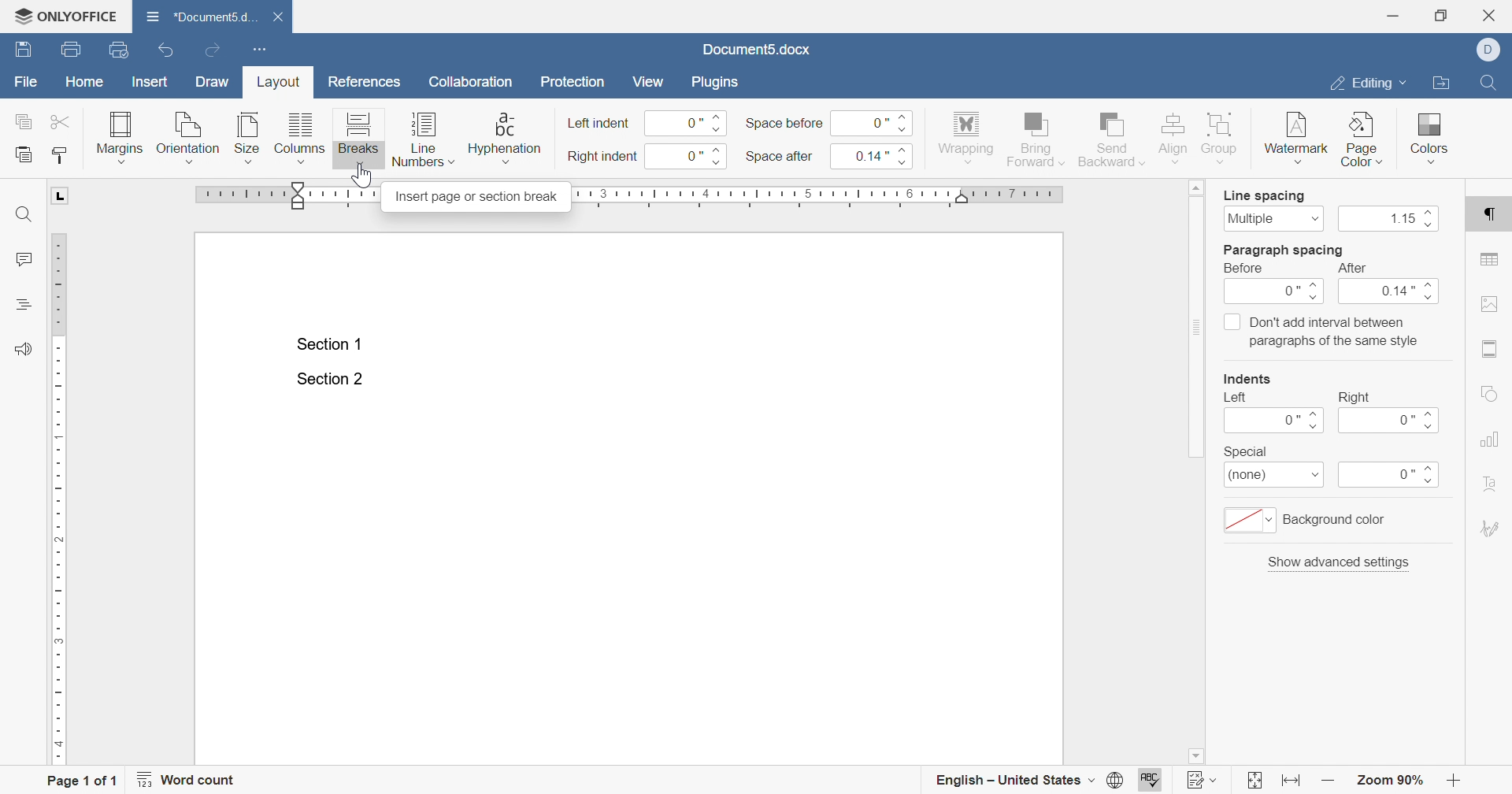 The height and width of the screenshot is (794, 1512). What do you see at coordinates (24, 153) in the screenshot?
I see `paste` at bounding box center [24, 153].